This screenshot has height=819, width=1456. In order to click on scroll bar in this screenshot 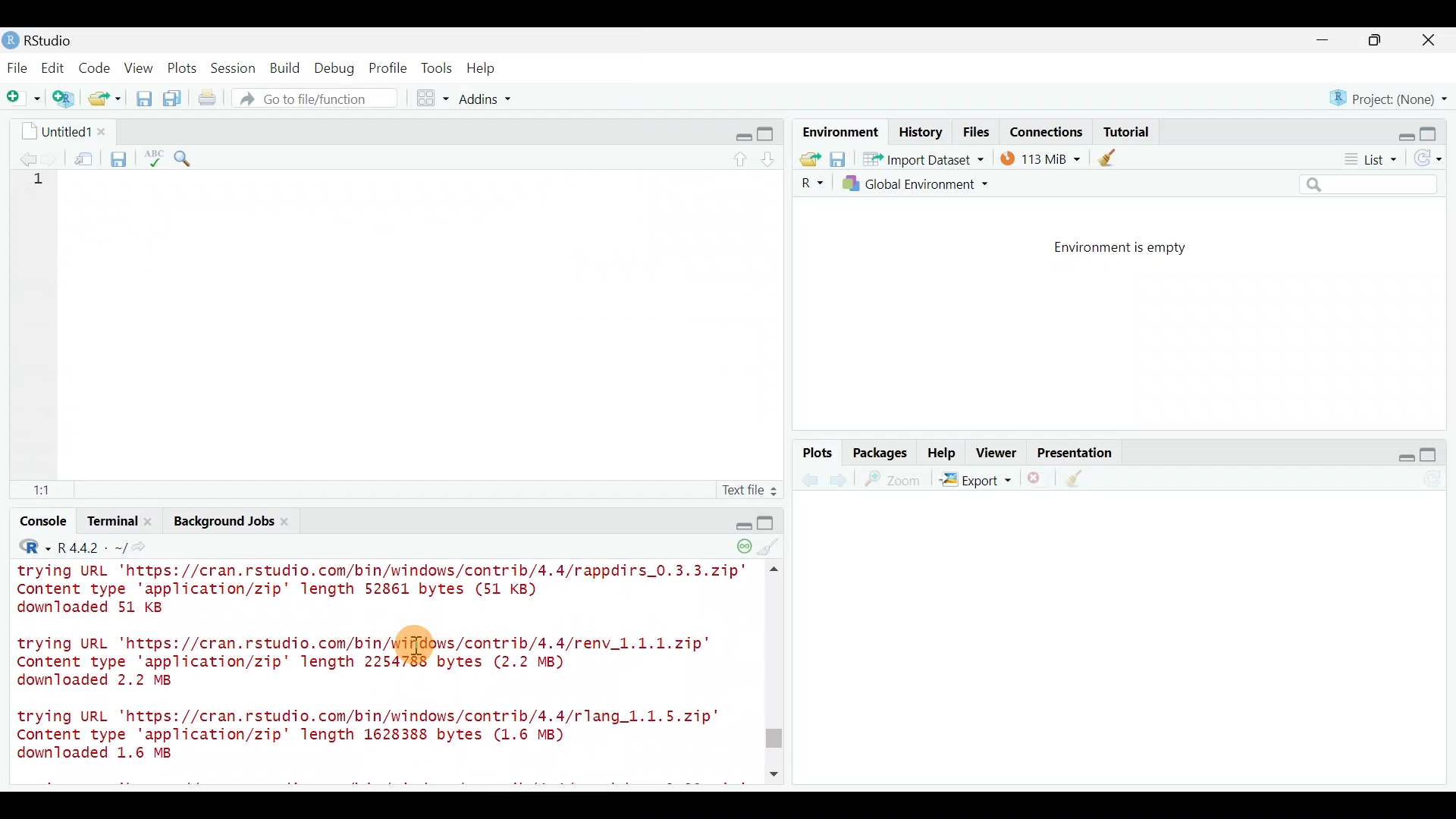, I will do `click(777, 479)`.